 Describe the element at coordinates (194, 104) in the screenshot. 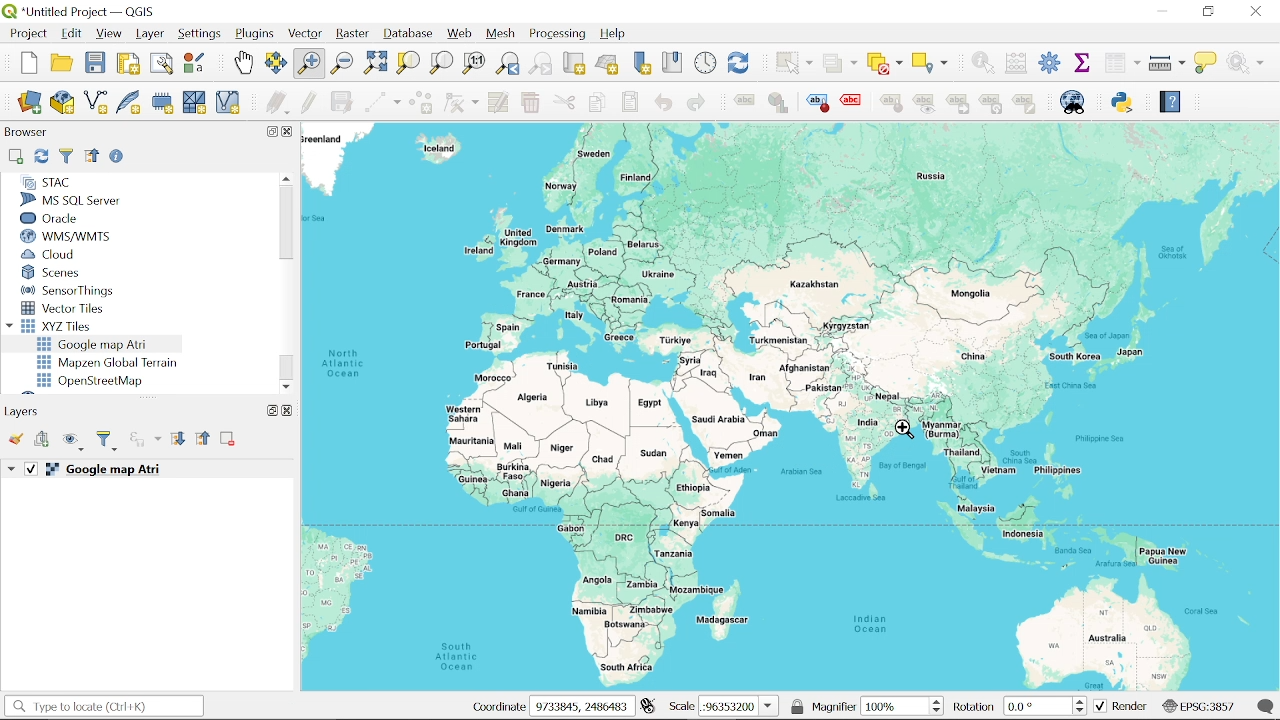

I see `New scratch layer` at that location.